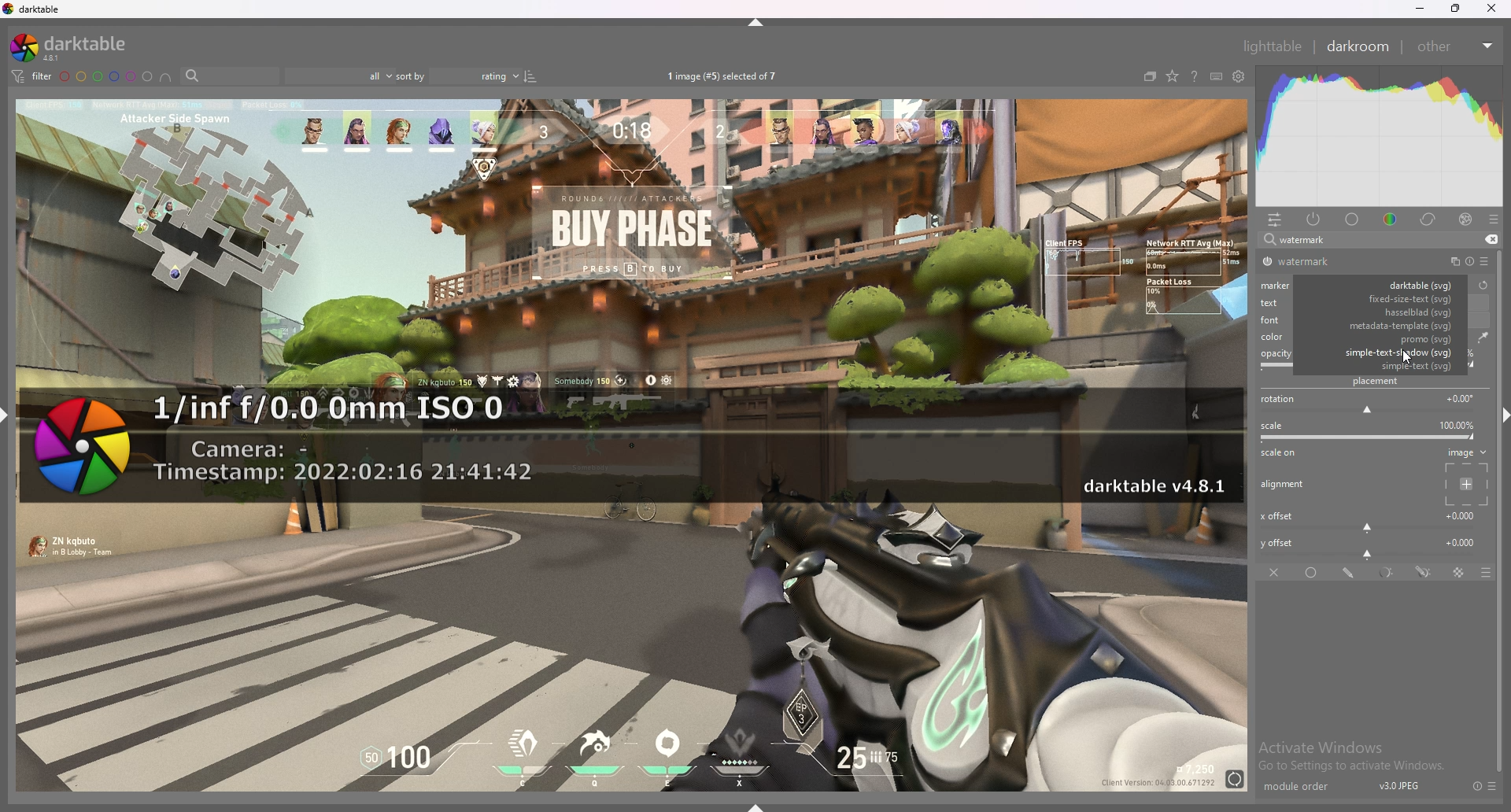  I want to click on quick access panel, so click(1275, 220).